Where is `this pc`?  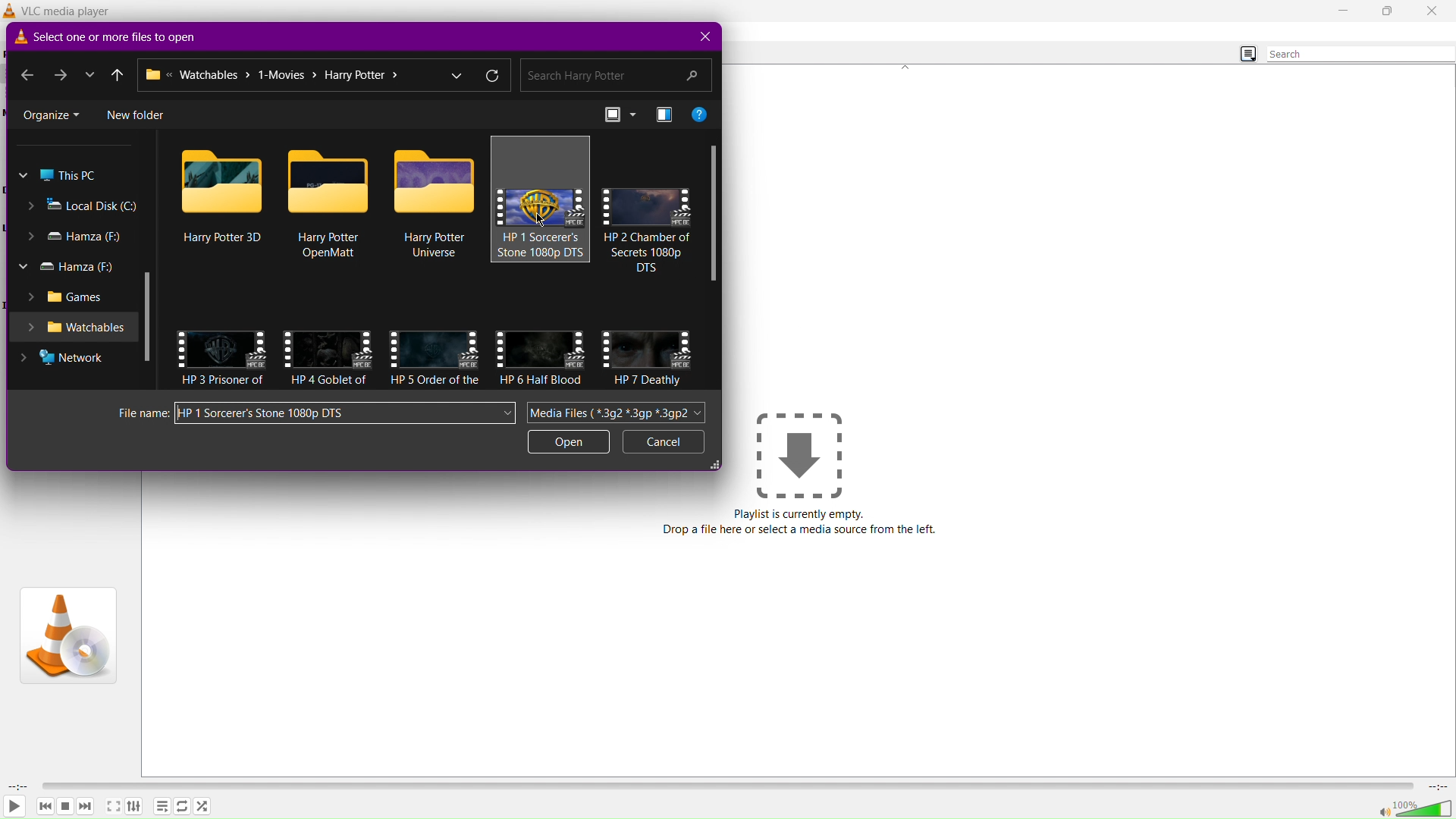 this pc is located at coordinates (58, 176).